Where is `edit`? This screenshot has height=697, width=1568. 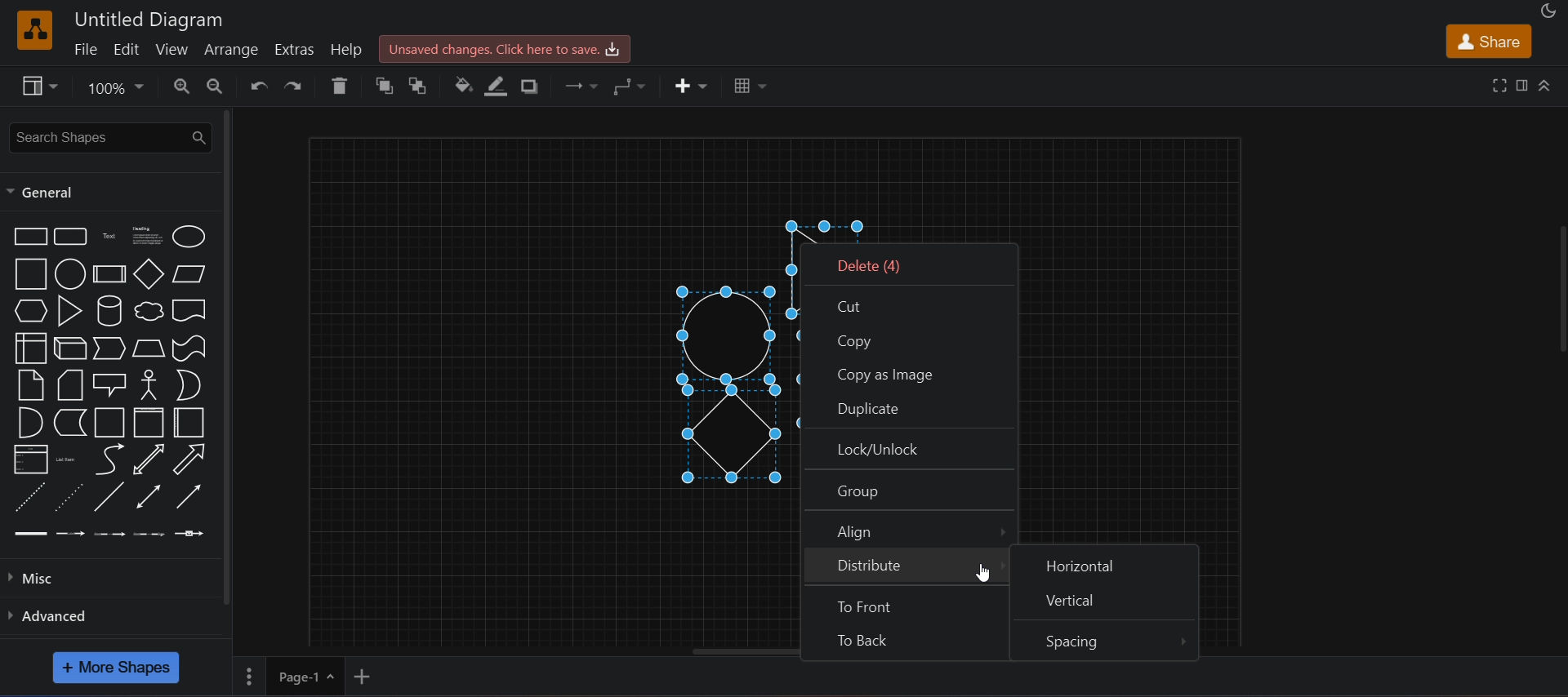 edit is located at coordinates (128, 49).